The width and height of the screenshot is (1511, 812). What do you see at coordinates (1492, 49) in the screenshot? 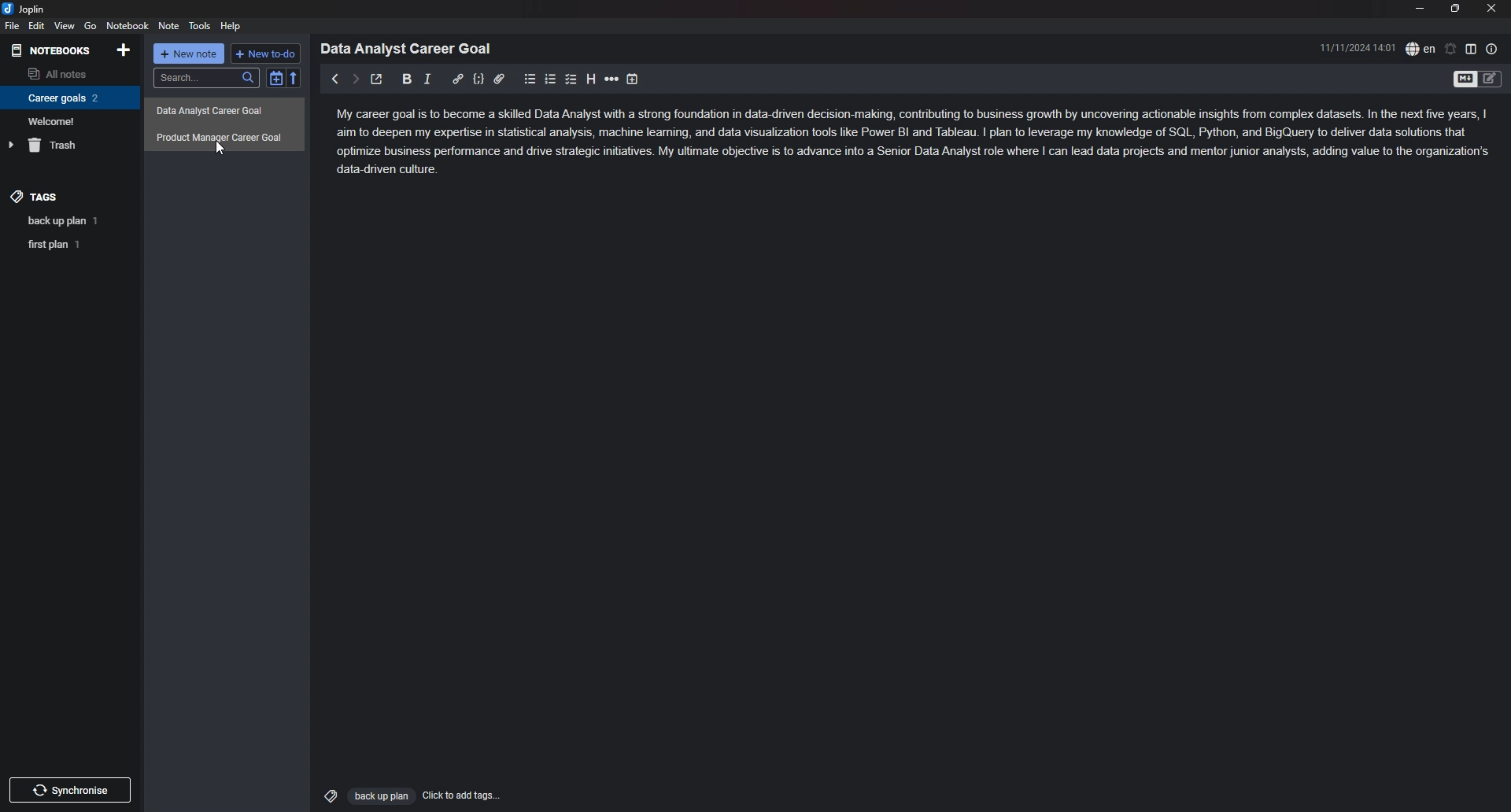
I see `note properties` at bounding box center [1492, 49].